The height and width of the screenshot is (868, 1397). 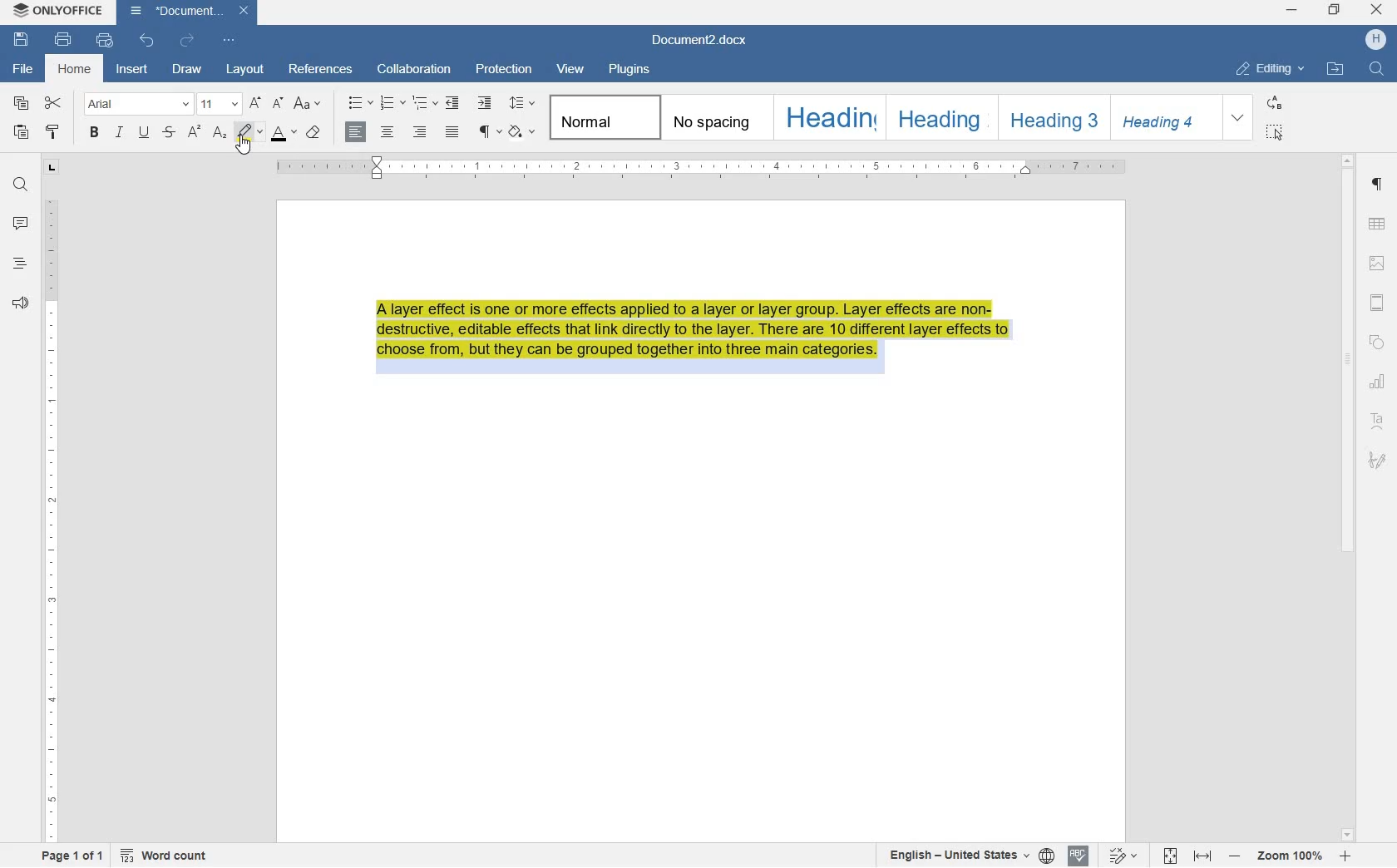 I want to click on signature, so click(x=1378, y=460).